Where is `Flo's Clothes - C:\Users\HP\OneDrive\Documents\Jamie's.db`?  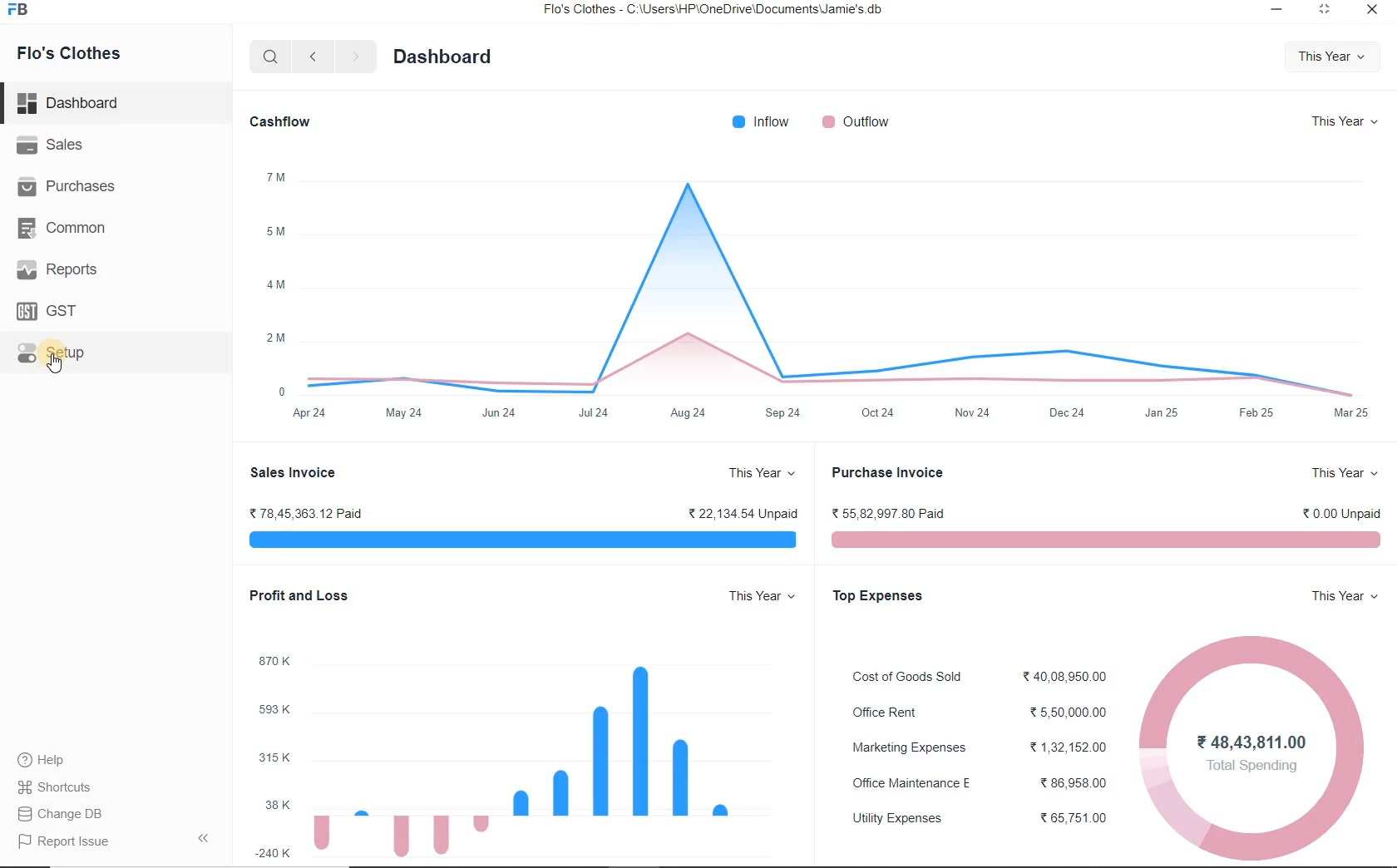
Flo's Clothes - C:\Users\HP\OneDrive\Documents\Jamie's.db is located at coordinates (718, 11).